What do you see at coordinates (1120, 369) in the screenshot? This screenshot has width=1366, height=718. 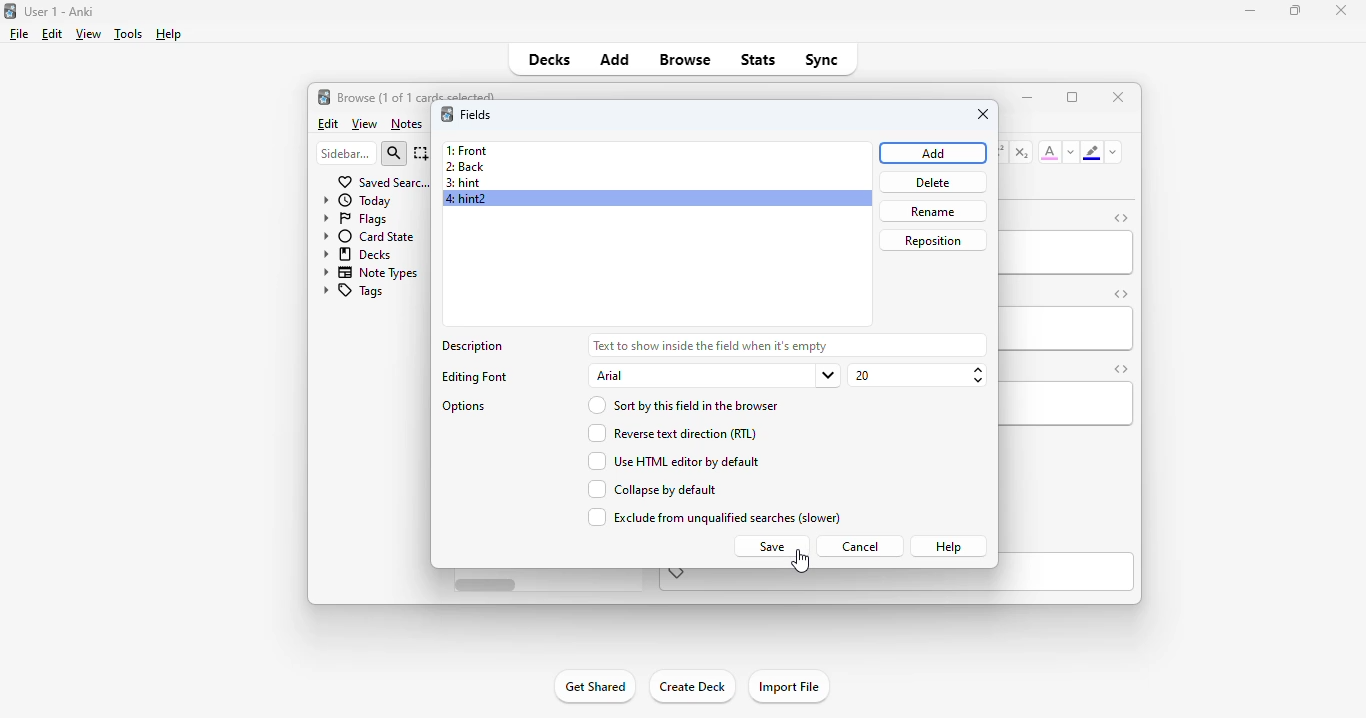 I see `toggle HTML editor` at bounding box center [1120, 369].